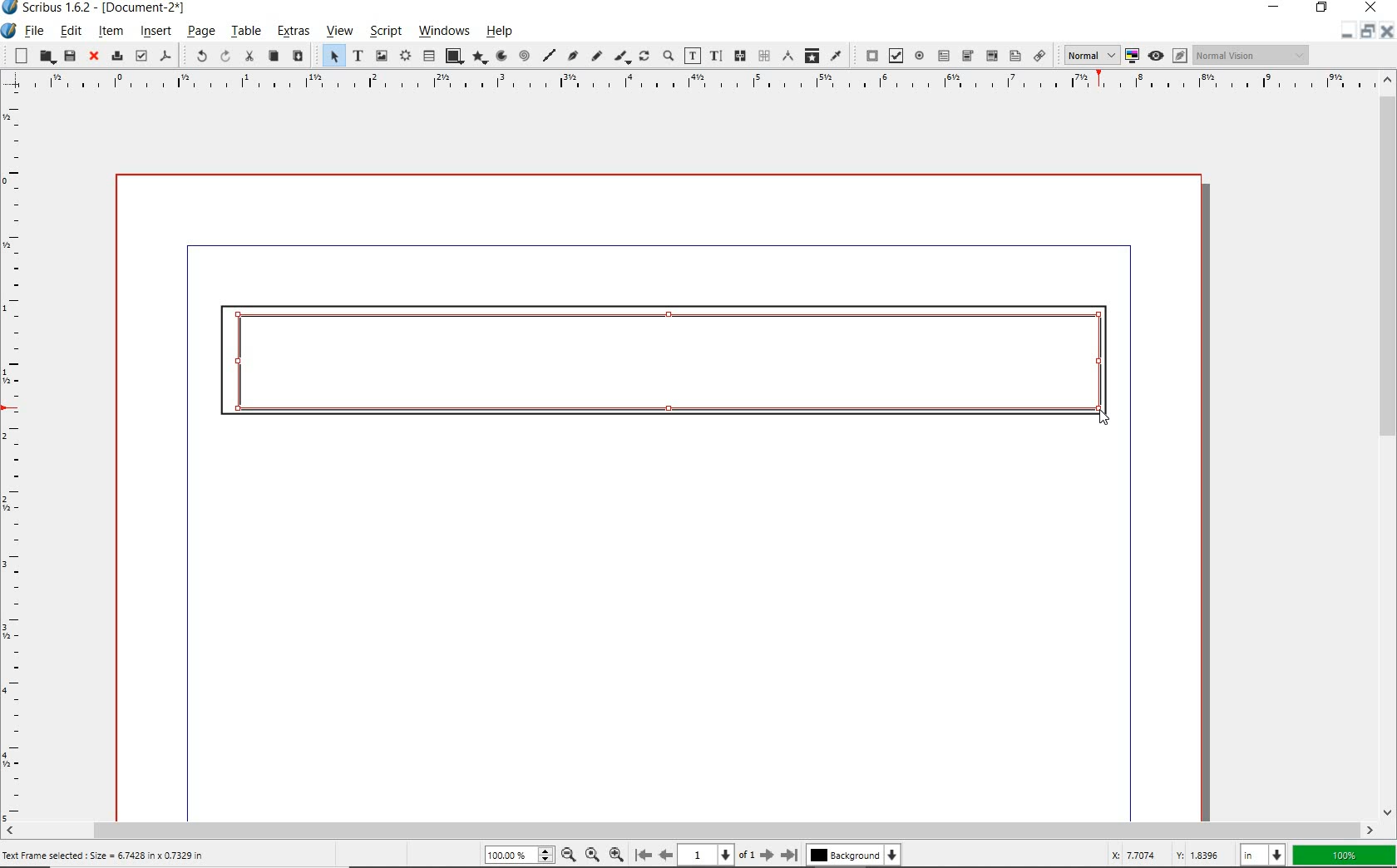 The height and width of the screenshot is (868, 1397). I want to click on select image preview quality, so click(1086, 55).